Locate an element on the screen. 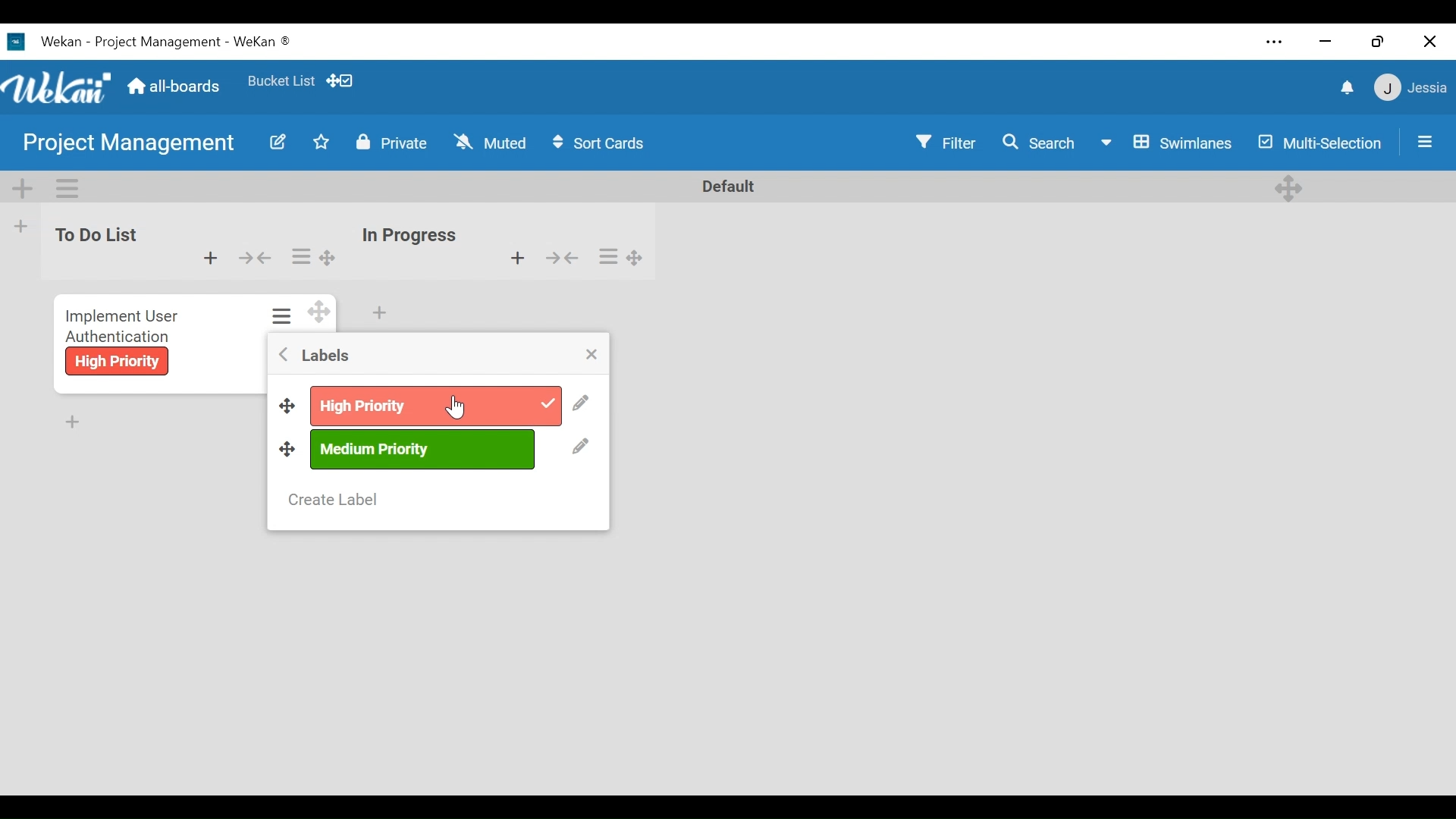 The width and height of the screenshot is (1456, 819). Y Filter is located at coordinates (946, 141).